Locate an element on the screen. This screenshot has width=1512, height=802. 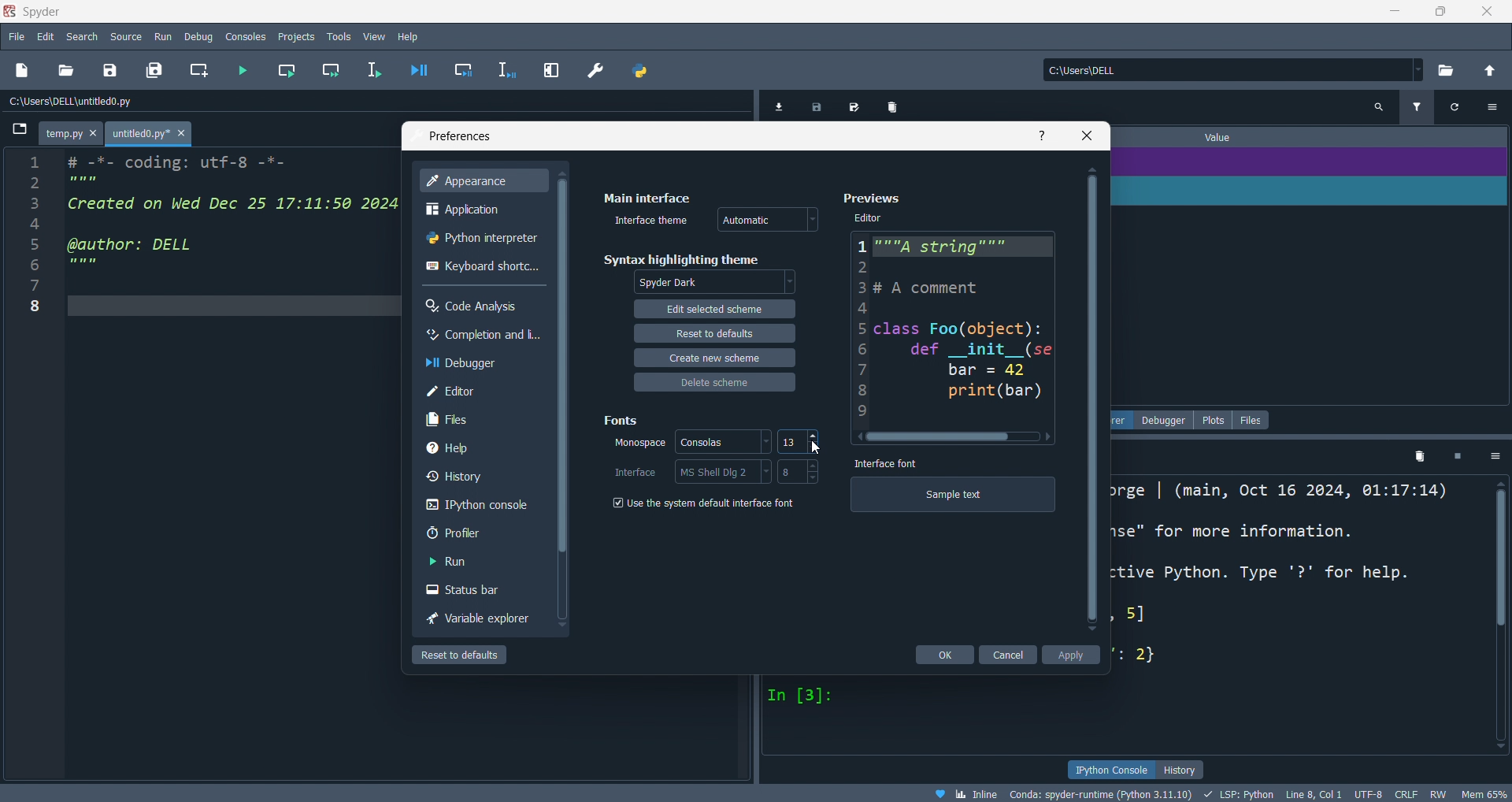
view is located at coordinates (371, 37).